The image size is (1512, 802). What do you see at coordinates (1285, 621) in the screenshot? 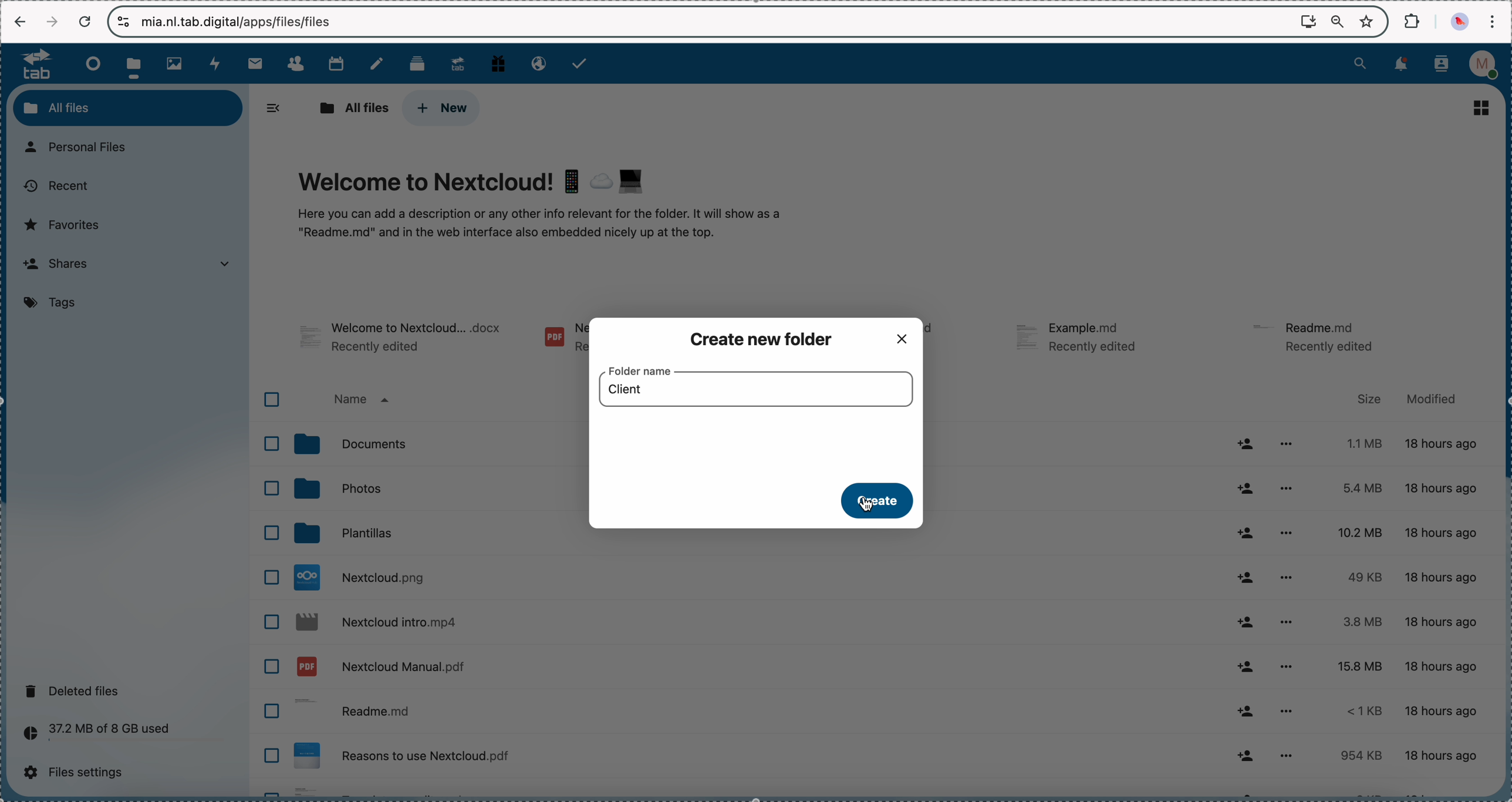
I see `more options` at bounding box center [1285, 621].